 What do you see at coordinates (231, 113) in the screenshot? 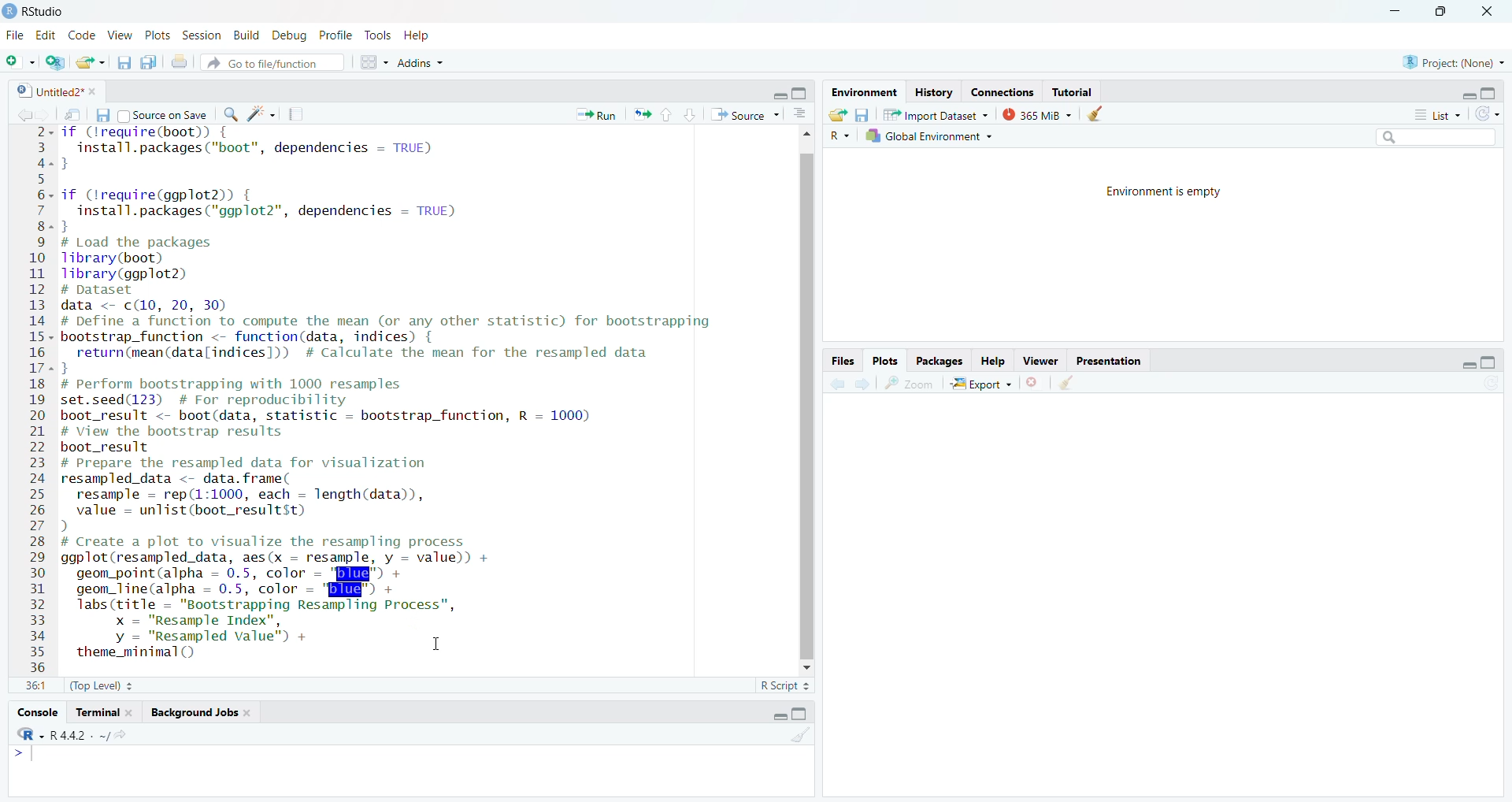
I see `find/replace` at bounding box center [231, 113].